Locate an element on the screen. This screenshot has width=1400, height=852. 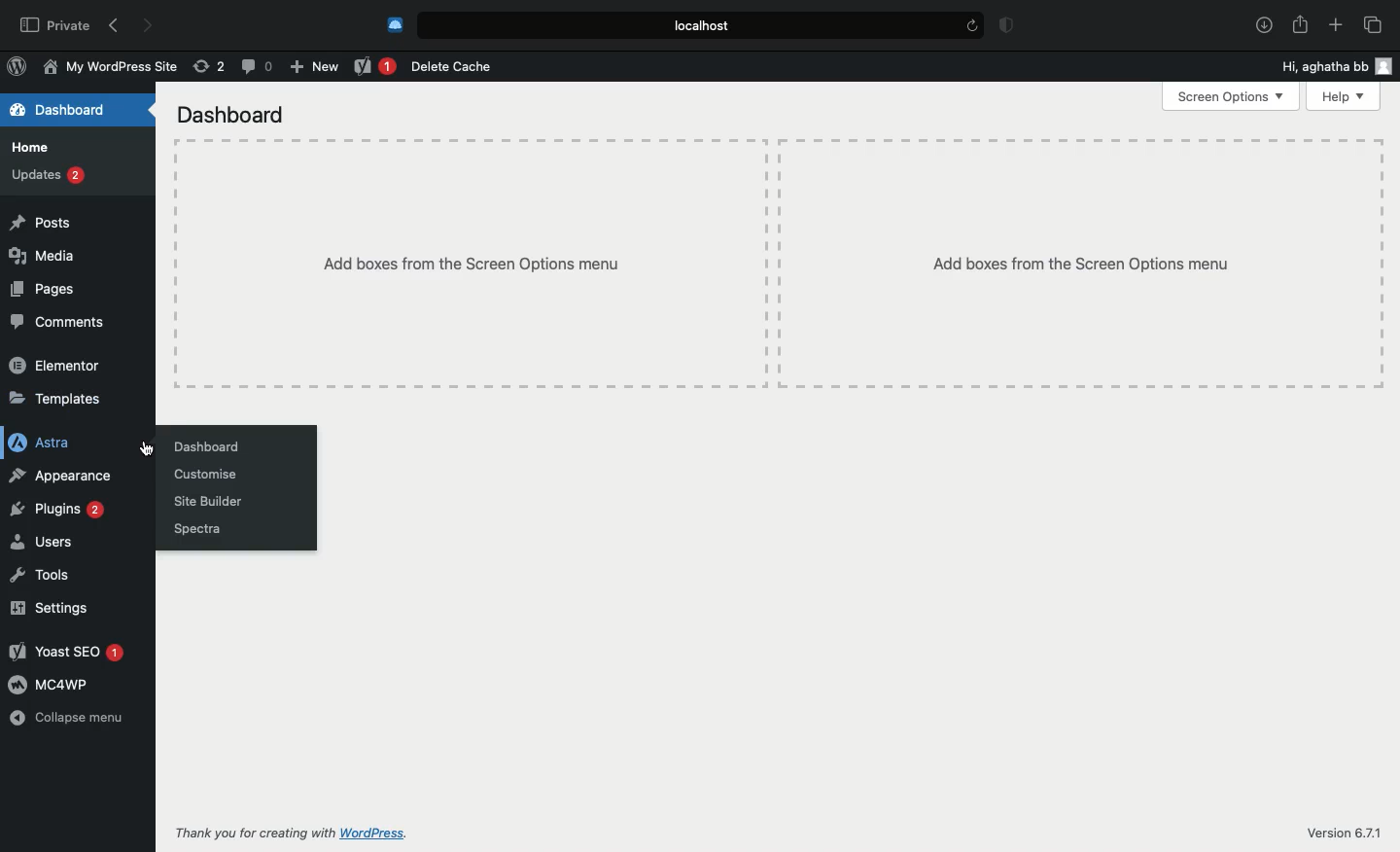
Yoast SEO 1 is located at coordinates (66, 652).